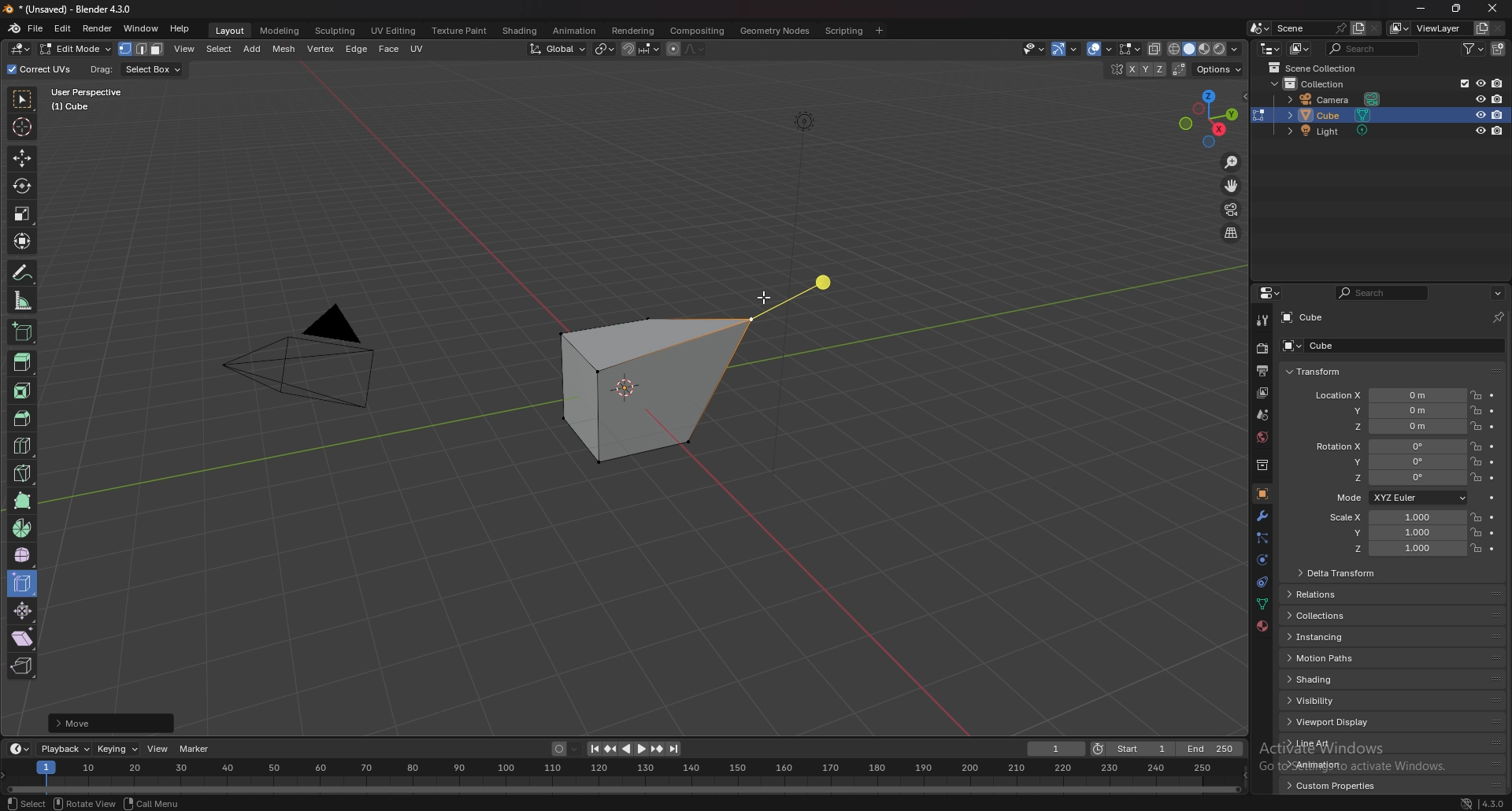  Describe the element at coordinates (695, 49) in the screenshot. I see `proportional editing falloff` at that location.